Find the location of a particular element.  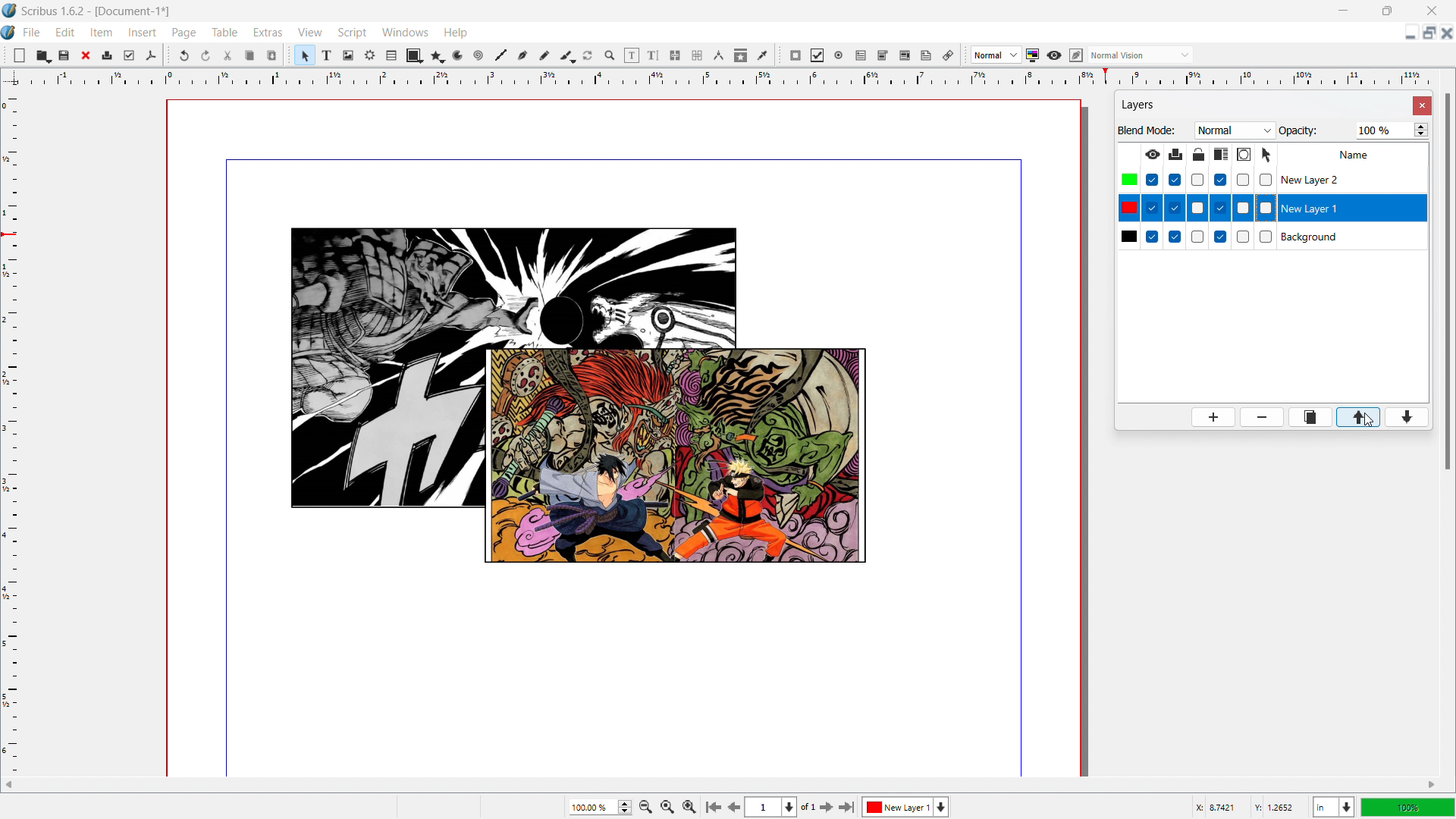

arc is located at coordinates (459, 55).